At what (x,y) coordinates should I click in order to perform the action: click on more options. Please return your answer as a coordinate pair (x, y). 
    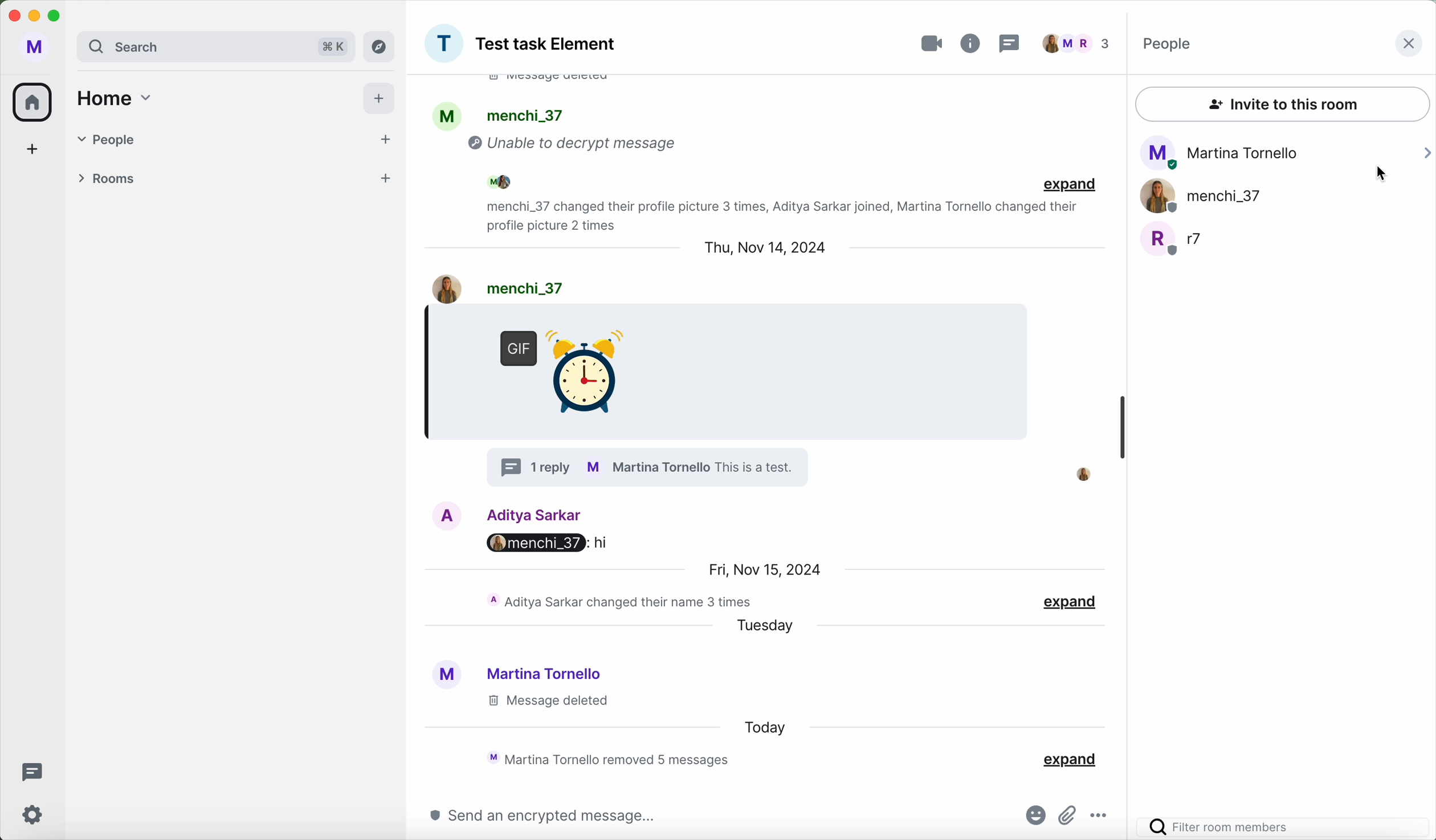
    Looking at the image, I should click on (1103, 817).